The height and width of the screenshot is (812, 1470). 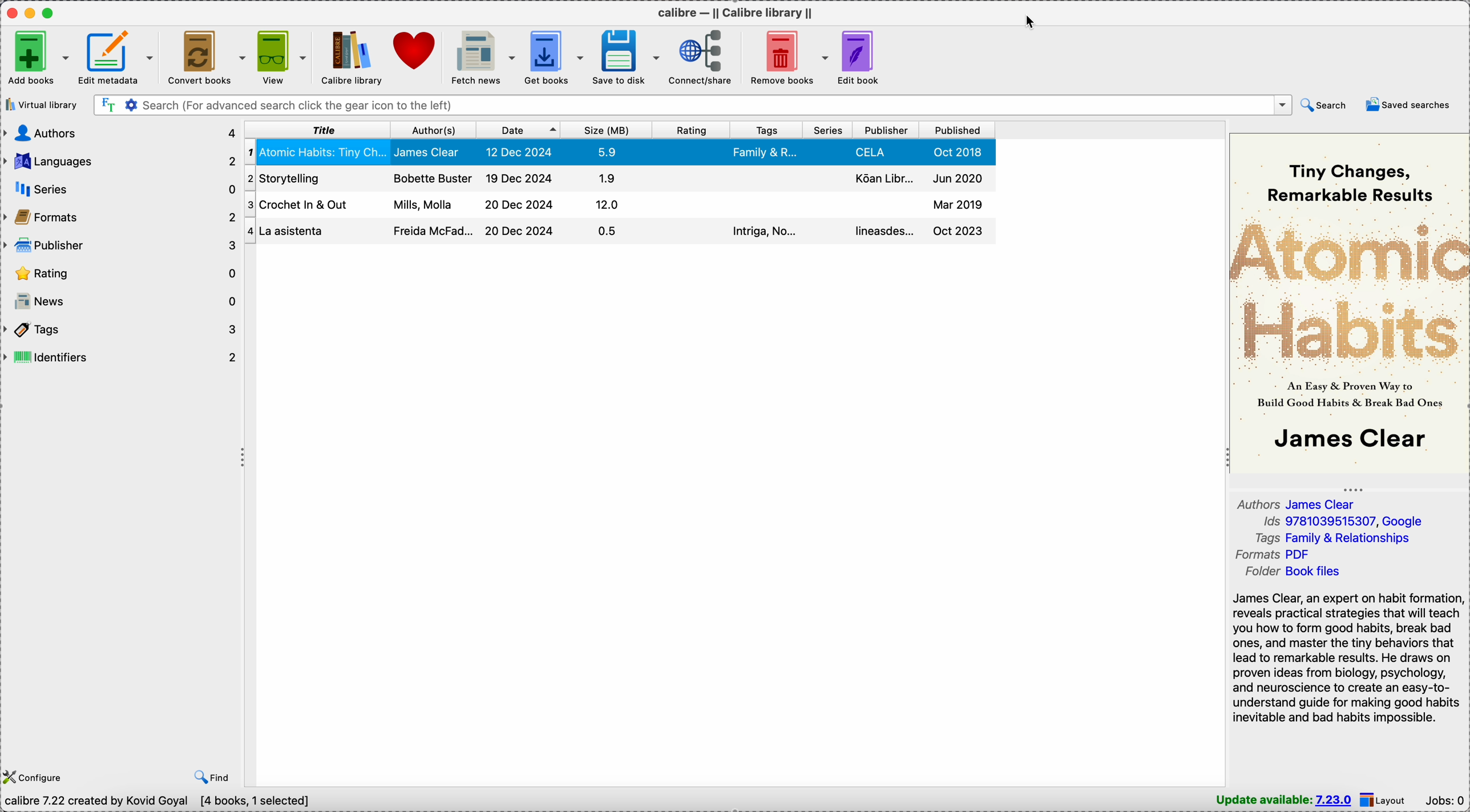 I want to click on connect/share, so click(x=705, y=58).